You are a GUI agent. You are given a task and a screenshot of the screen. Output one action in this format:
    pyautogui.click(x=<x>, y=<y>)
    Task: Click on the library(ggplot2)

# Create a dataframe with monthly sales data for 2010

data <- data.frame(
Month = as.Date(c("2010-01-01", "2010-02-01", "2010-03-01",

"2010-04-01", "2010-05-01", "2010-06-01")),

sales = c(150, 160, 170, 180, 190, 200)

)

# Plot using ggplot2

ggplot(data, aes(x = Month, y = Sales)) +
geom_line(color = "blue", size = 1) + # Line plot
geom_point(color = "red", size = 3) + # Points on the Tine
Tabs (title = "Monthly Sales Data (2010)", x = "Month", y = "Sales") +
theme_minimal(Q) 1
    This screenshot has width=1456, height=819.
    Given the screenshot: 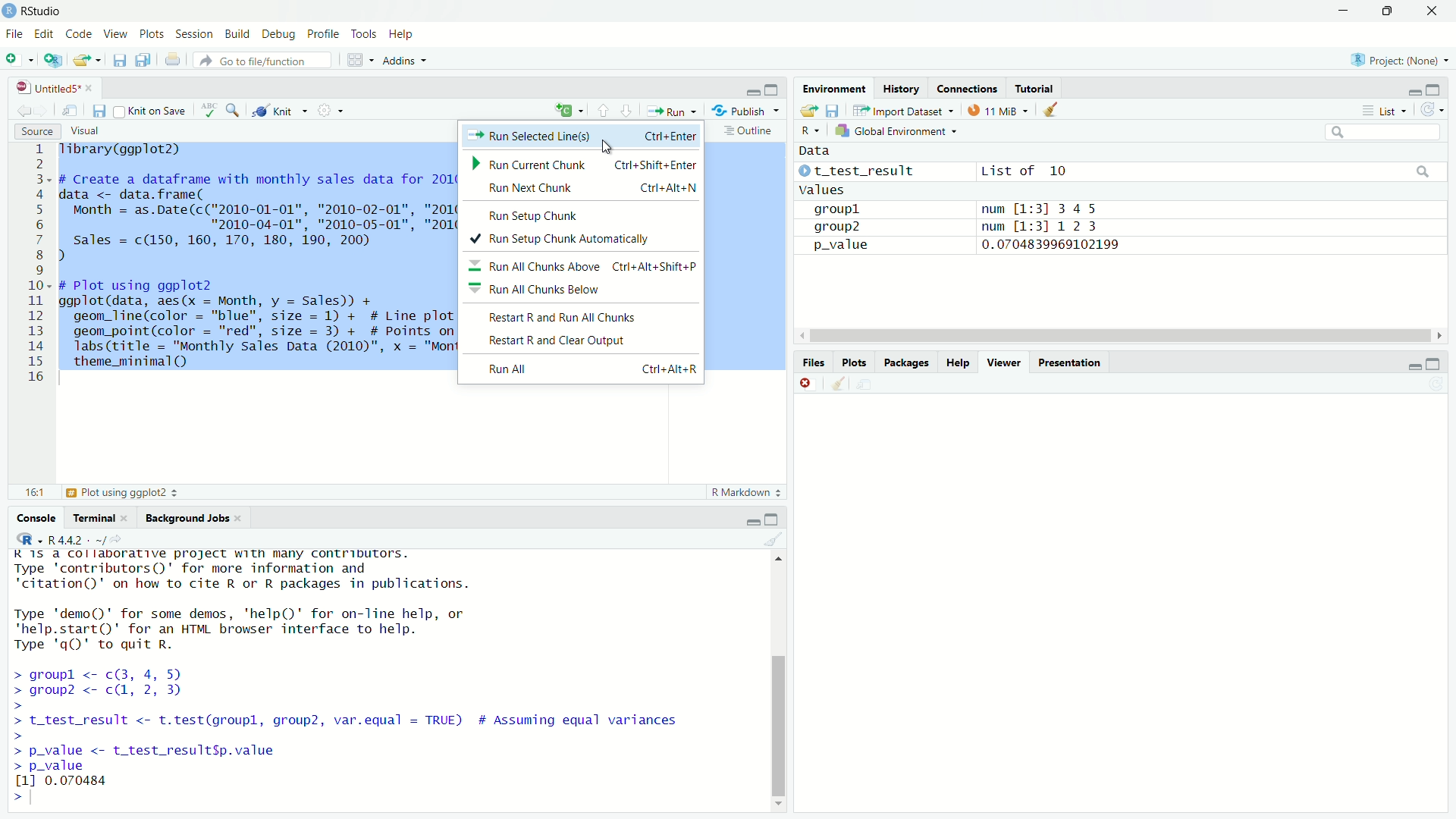 What is the action you would take?
    pyautogui.click(x=256, y=259)
    